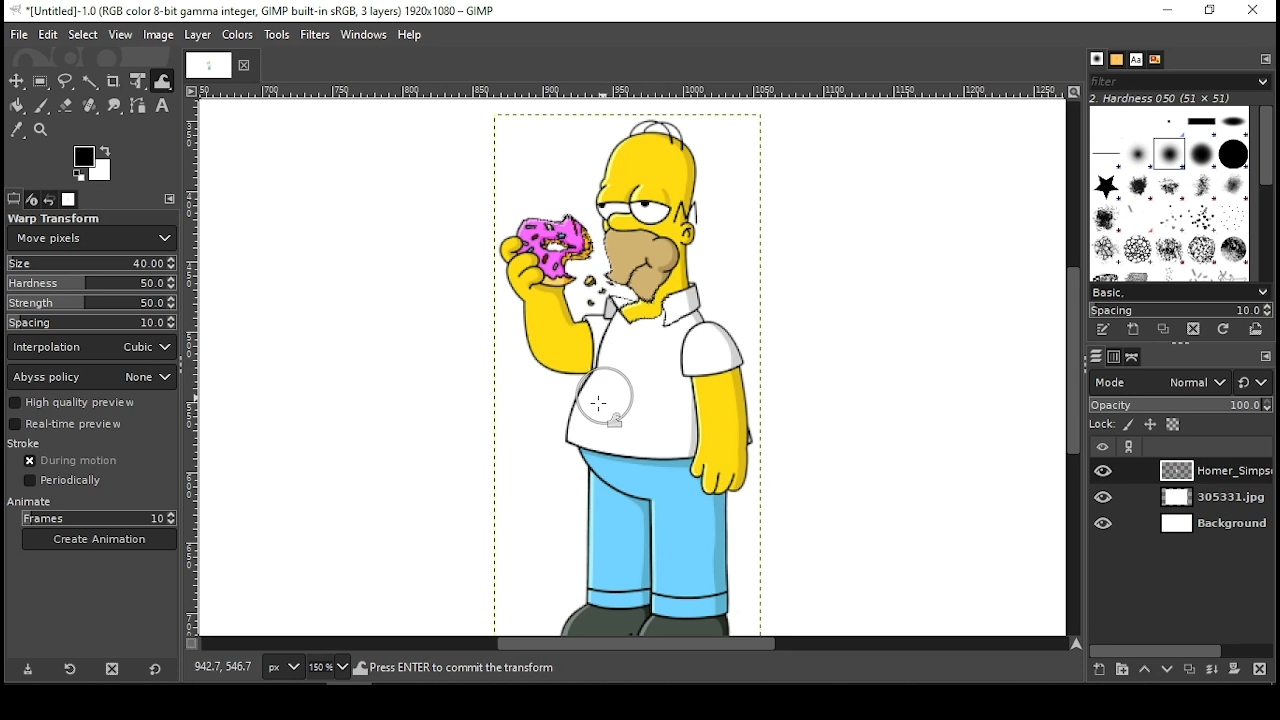 The height and width of the screenshot is (720, 1280). I want to click on document history, so click(1156, 60).